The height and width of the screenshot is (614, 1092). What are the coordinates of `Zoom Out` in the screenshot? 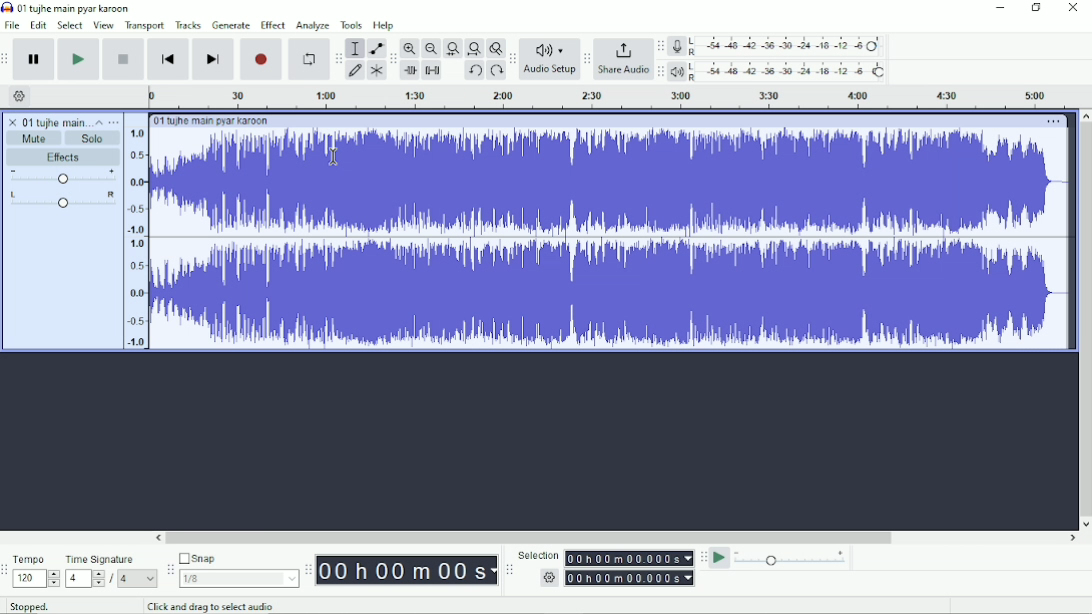 It's located at (430, 48).